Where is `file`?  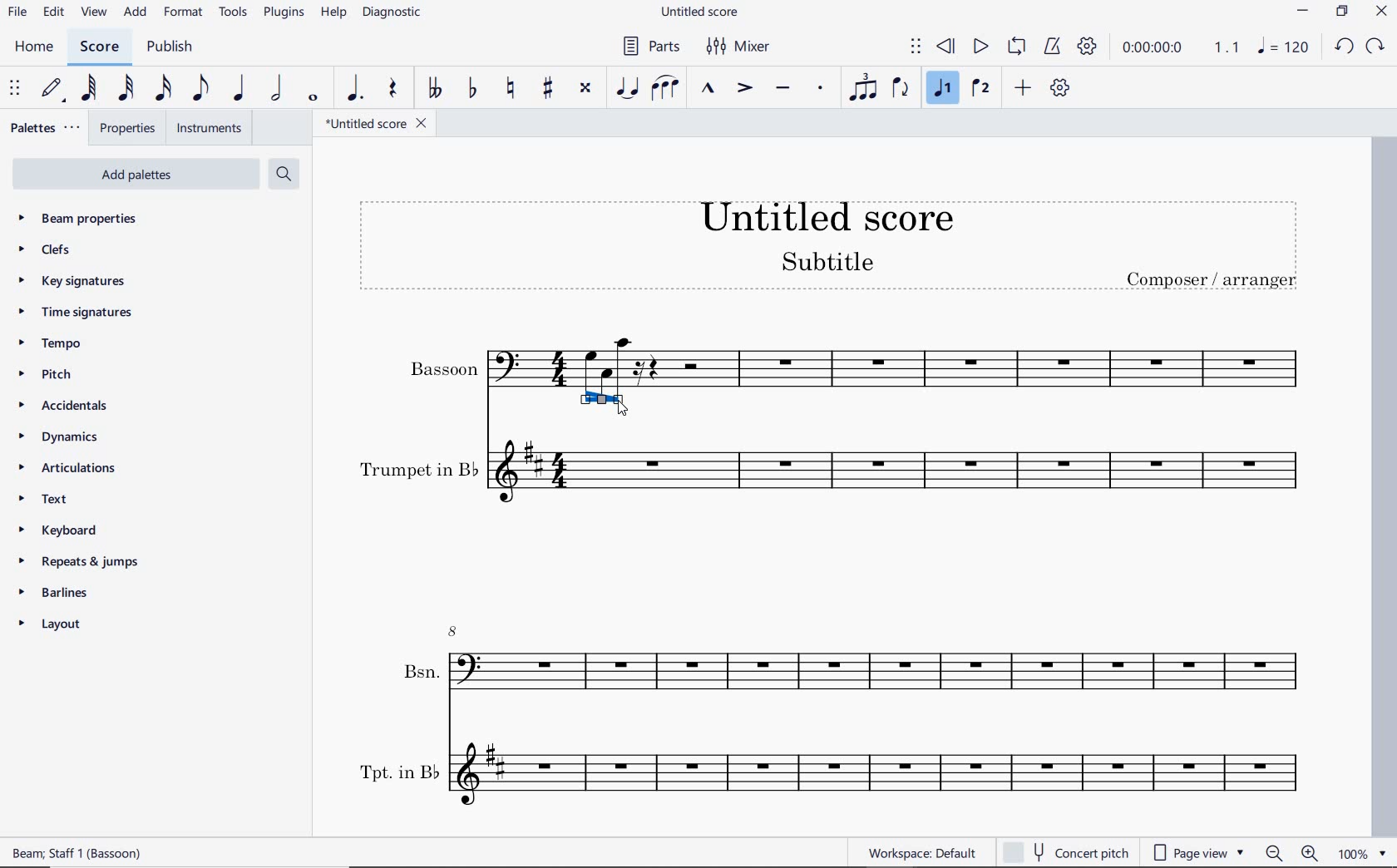 file is located at coordinates (17, 13).